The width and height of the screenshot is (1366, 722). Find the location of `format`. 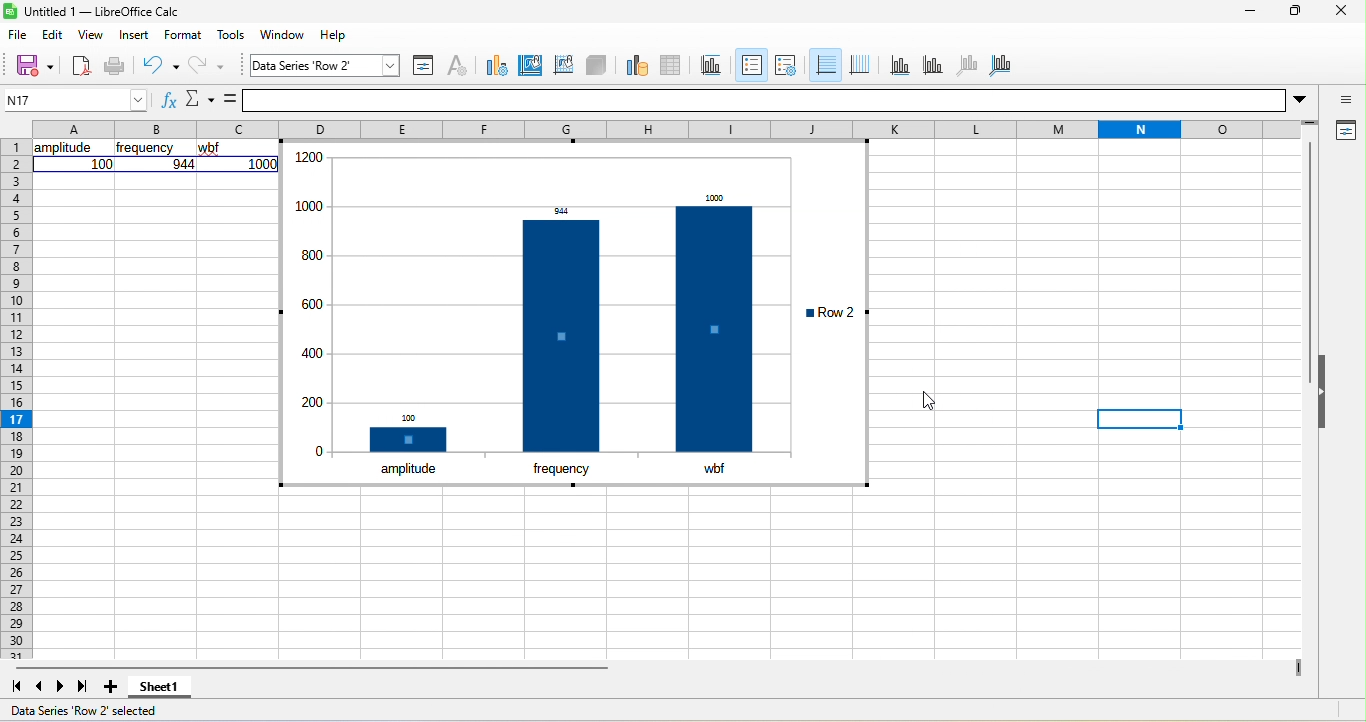

format is located at coordinates (183, 35).